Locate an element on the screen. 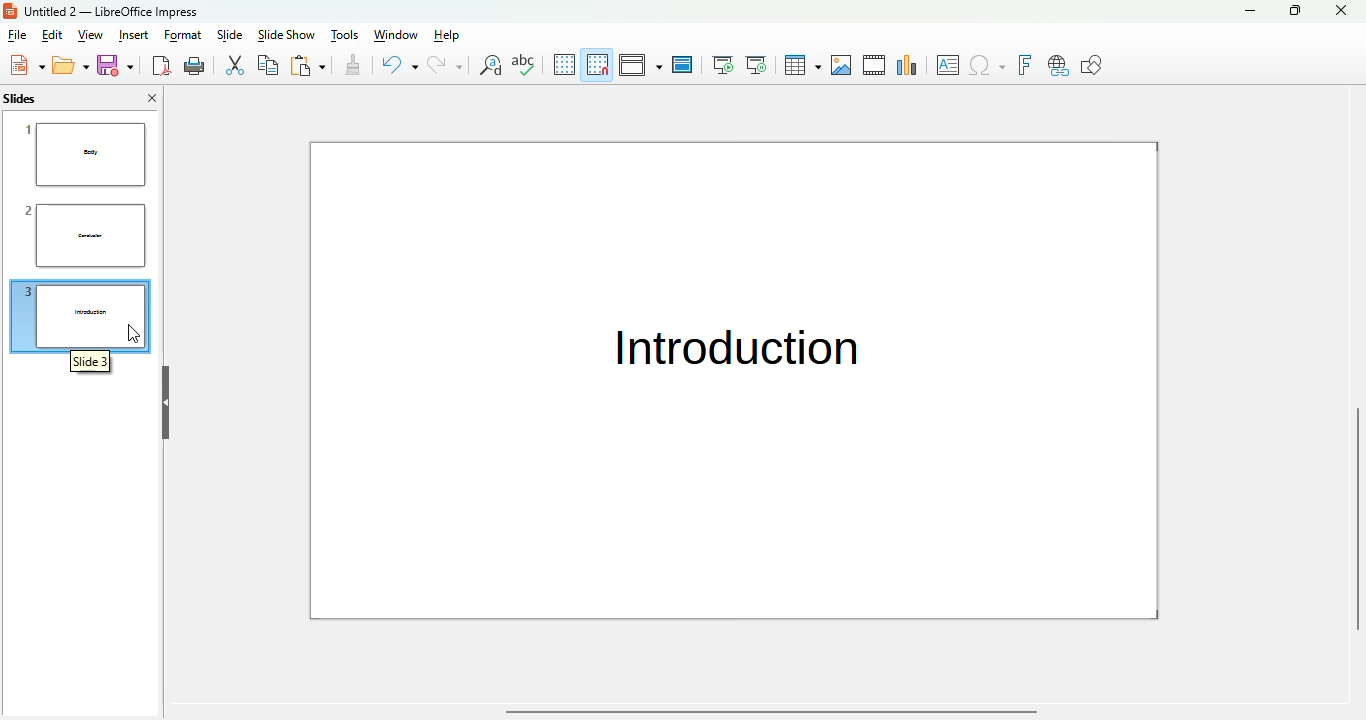 This screenshot has height=720, width=1366. clone formatting is located at coordinates (353, 64).